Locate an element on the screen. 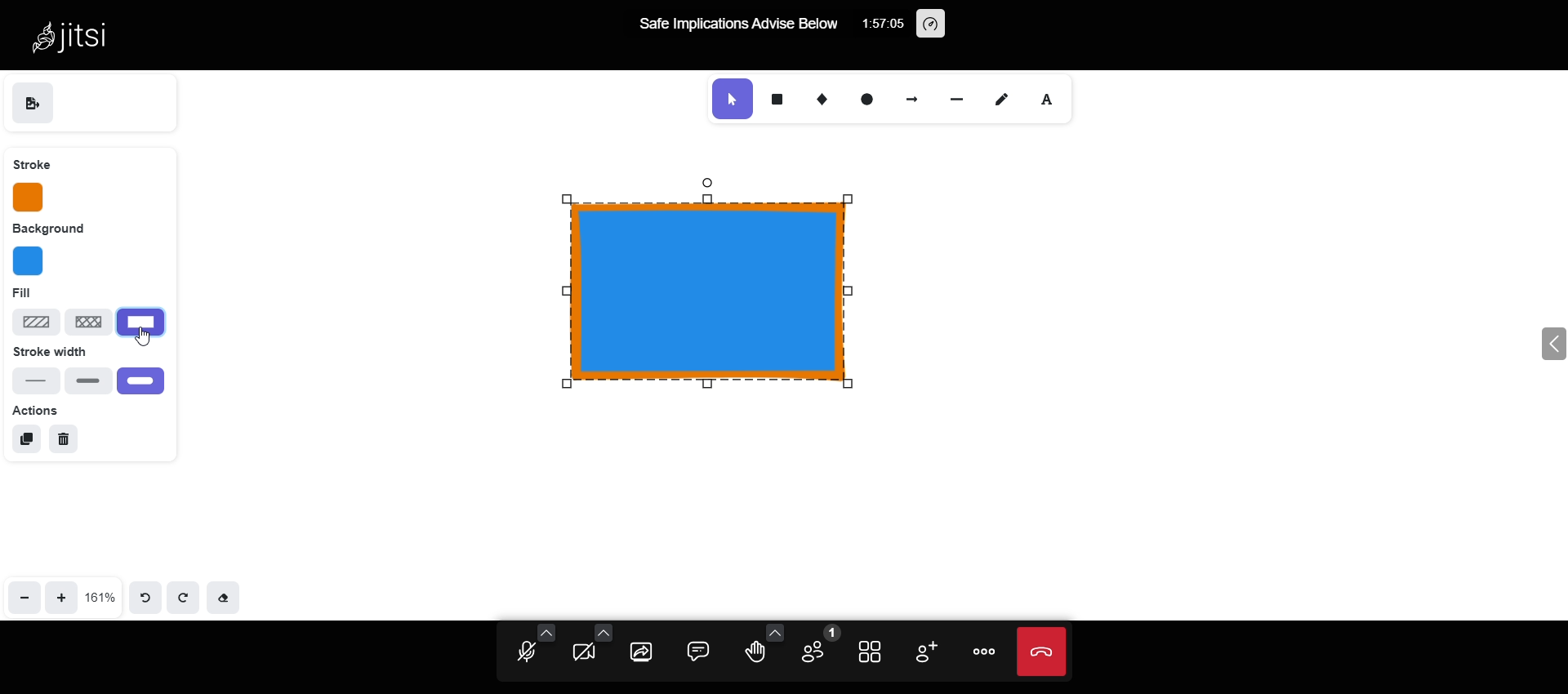 This screenshot has width=1568, height=694. share screen is located at coordinates (638, 653).